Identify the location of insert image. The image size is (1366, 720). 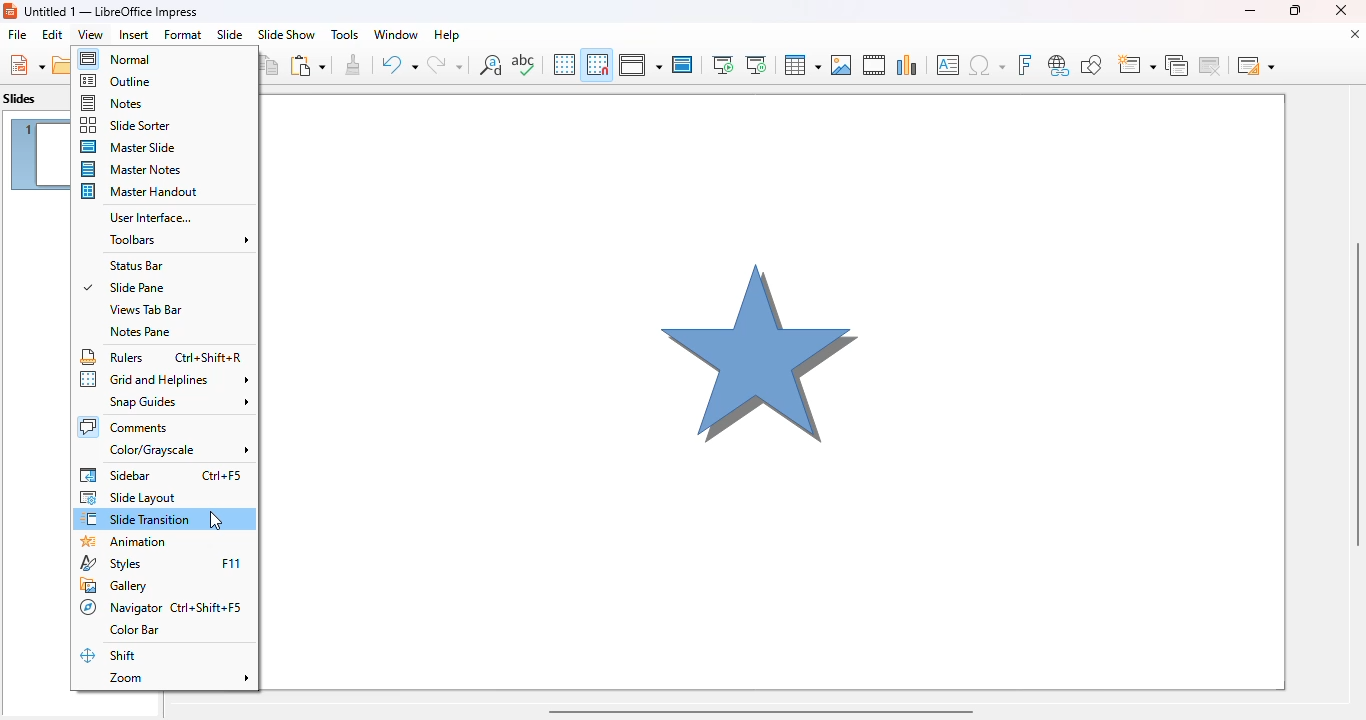
(843, 65).